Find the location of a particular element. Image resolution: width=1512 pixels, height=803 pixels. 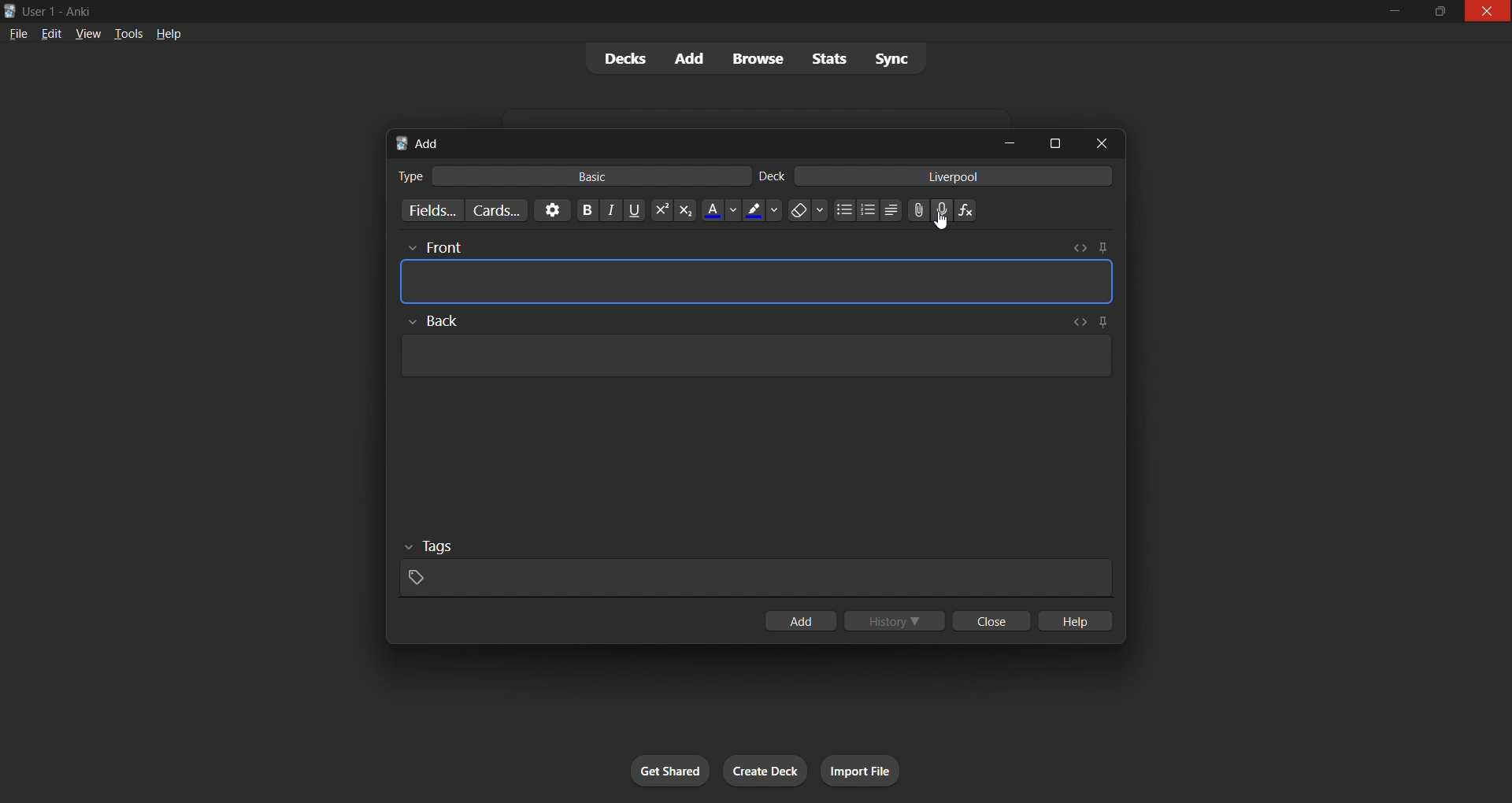

close is located at coordinates (992, 621).